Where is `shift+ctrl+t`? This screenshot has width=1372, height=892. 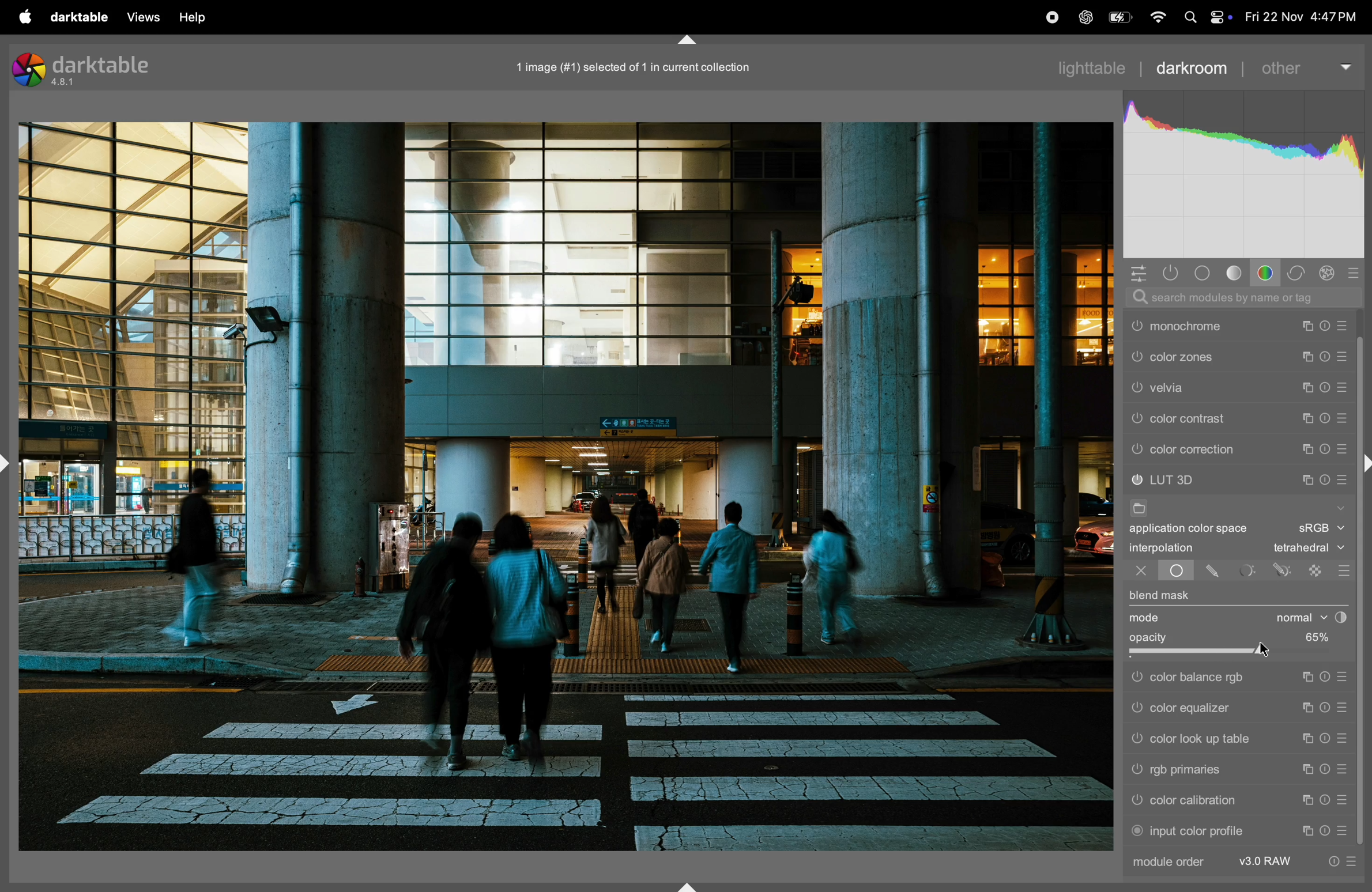 shift+ctrl+t is located at coordinates (685, 39).